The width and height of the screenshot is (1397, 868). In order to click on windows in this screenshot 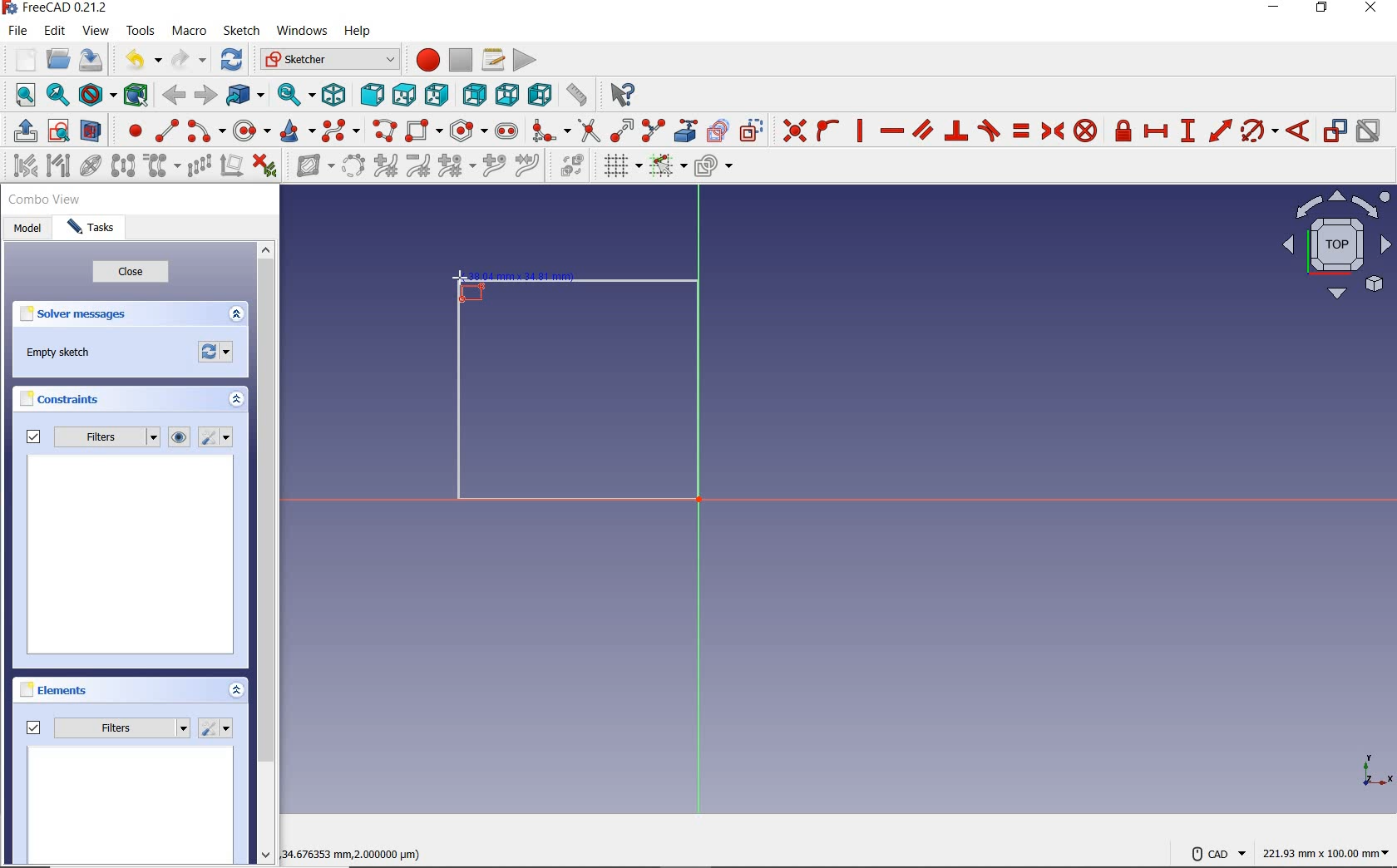, I will do `click(302, 31)`.